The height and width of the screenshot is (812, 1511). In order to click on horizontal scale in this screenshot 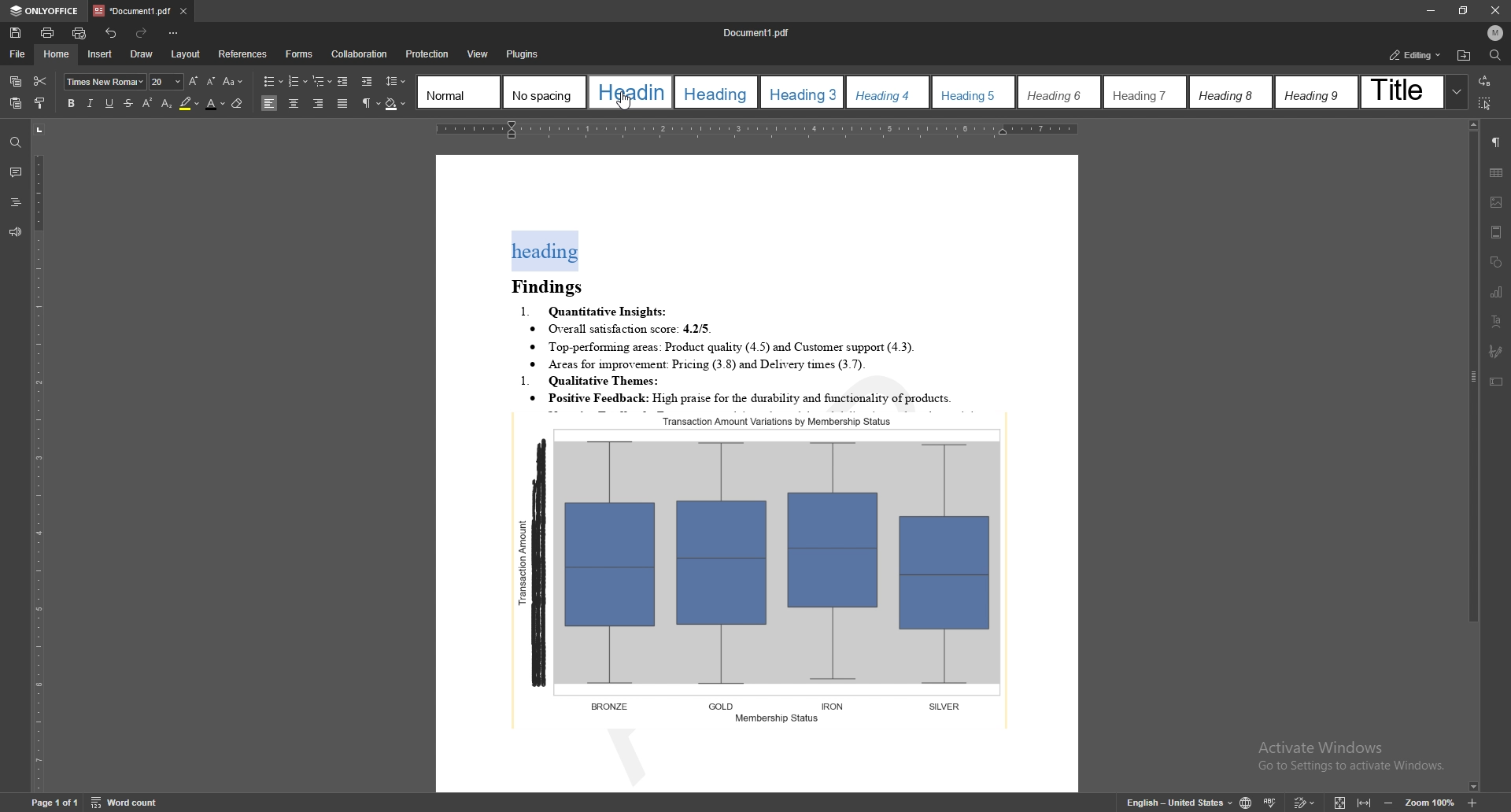, I will do `click(767, 131)`.